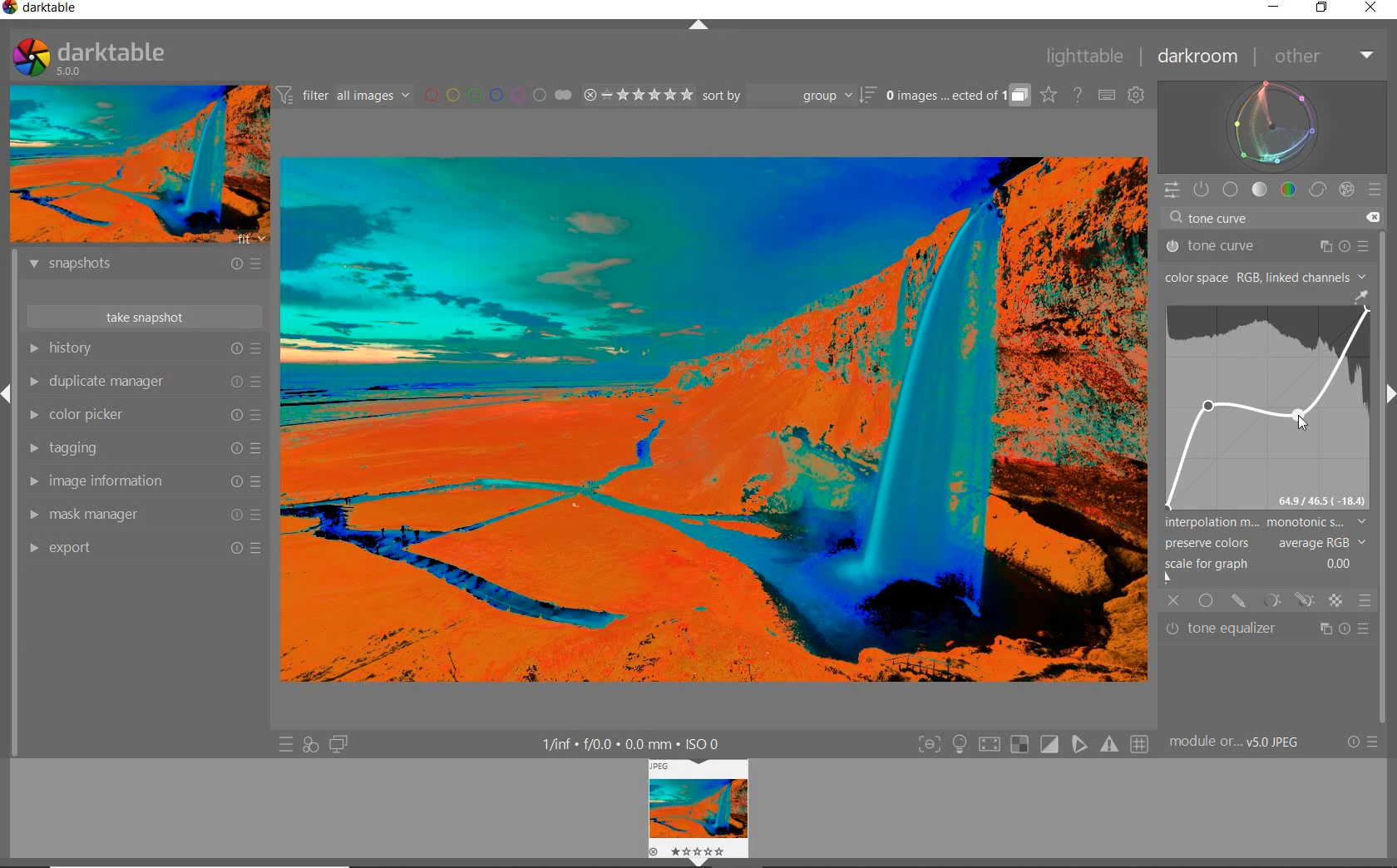  What do you see at coordinates (1049, 95) in the screenshot?
I see `CLICK TO CHANGE THE OVERLAYS SHOWN ON THUMBNAILS` at bounding box center [1049, 95].